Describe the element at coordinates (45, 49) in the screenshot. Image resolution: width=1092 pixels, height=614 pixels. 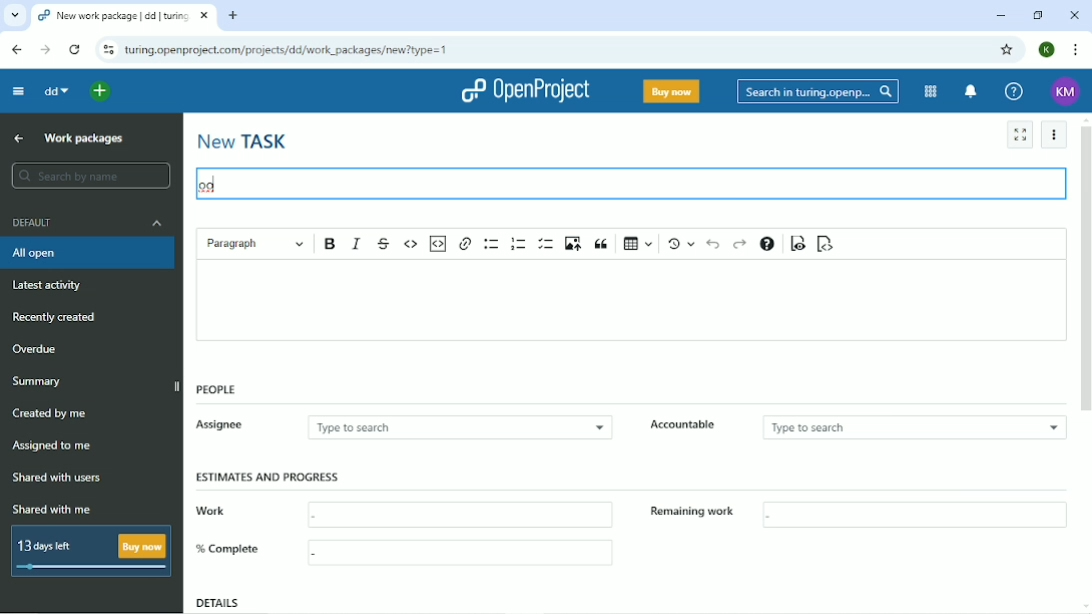
I see `Forward` at that location.